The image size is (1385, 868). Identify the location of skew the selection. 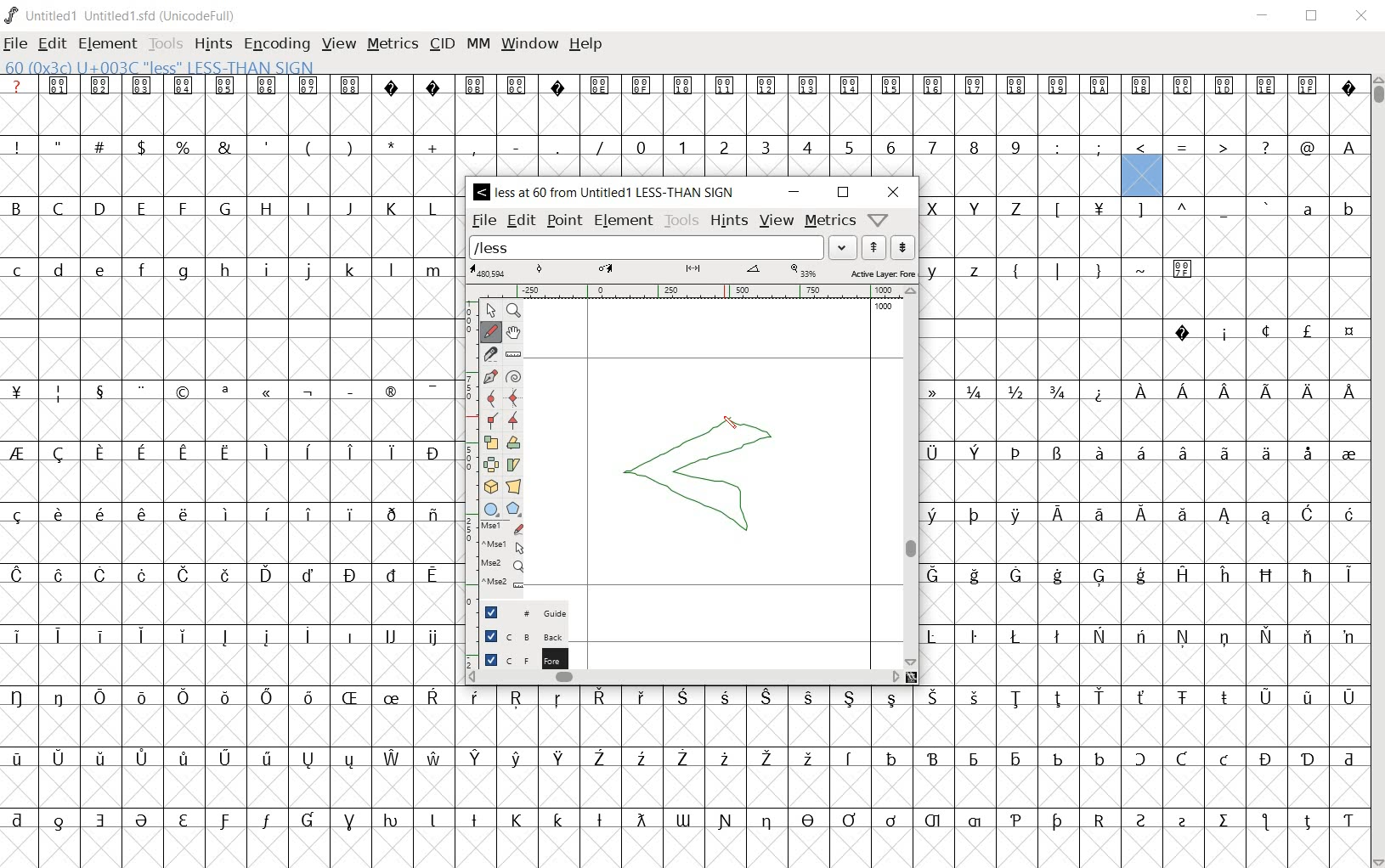
(515, 463).